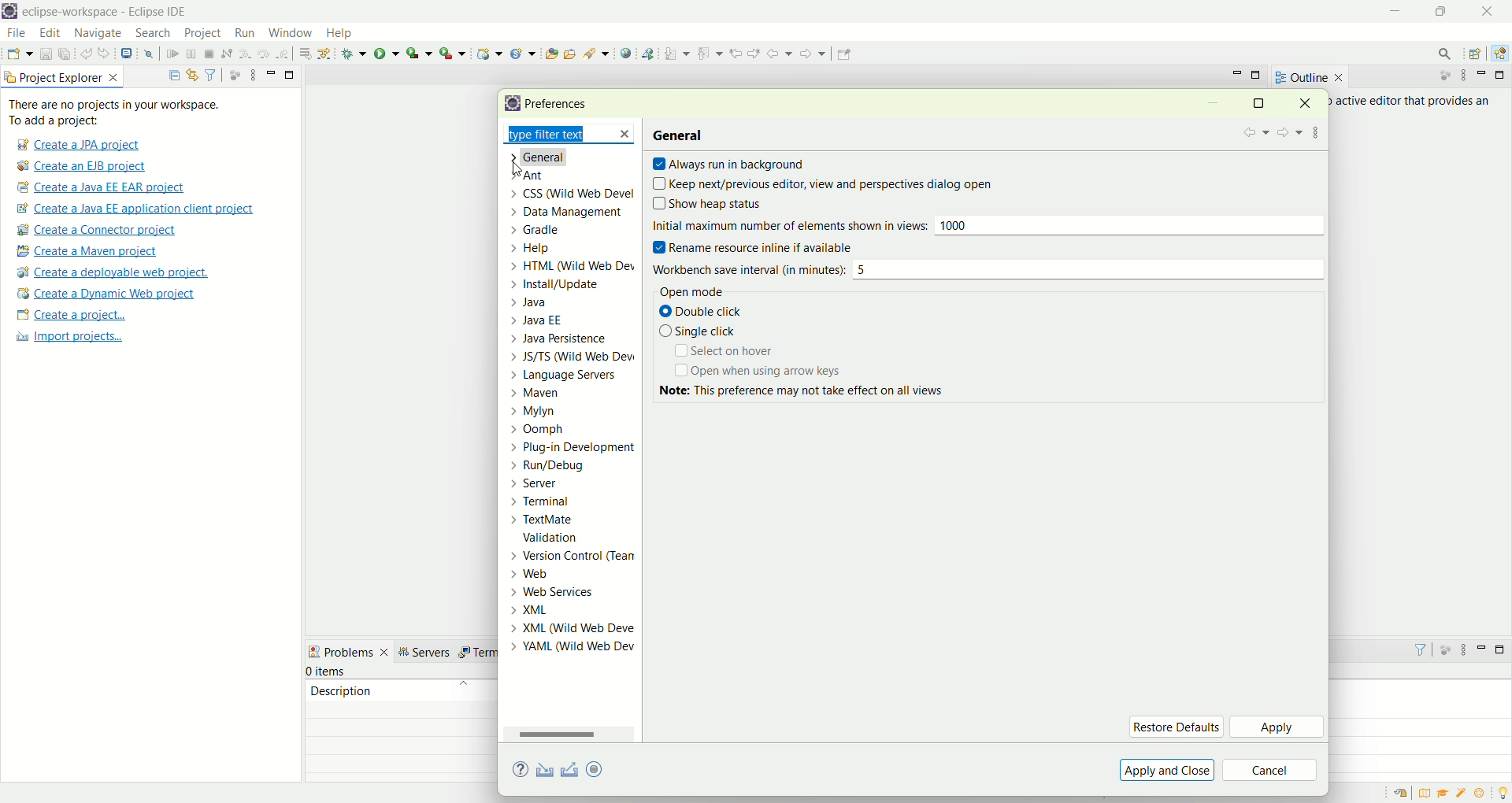 This screenshot has width=1512, height=803. What do you see at coordinates (94, 231) in the screenshot?
I see `create a connector project` at bounding box center [94, 231].